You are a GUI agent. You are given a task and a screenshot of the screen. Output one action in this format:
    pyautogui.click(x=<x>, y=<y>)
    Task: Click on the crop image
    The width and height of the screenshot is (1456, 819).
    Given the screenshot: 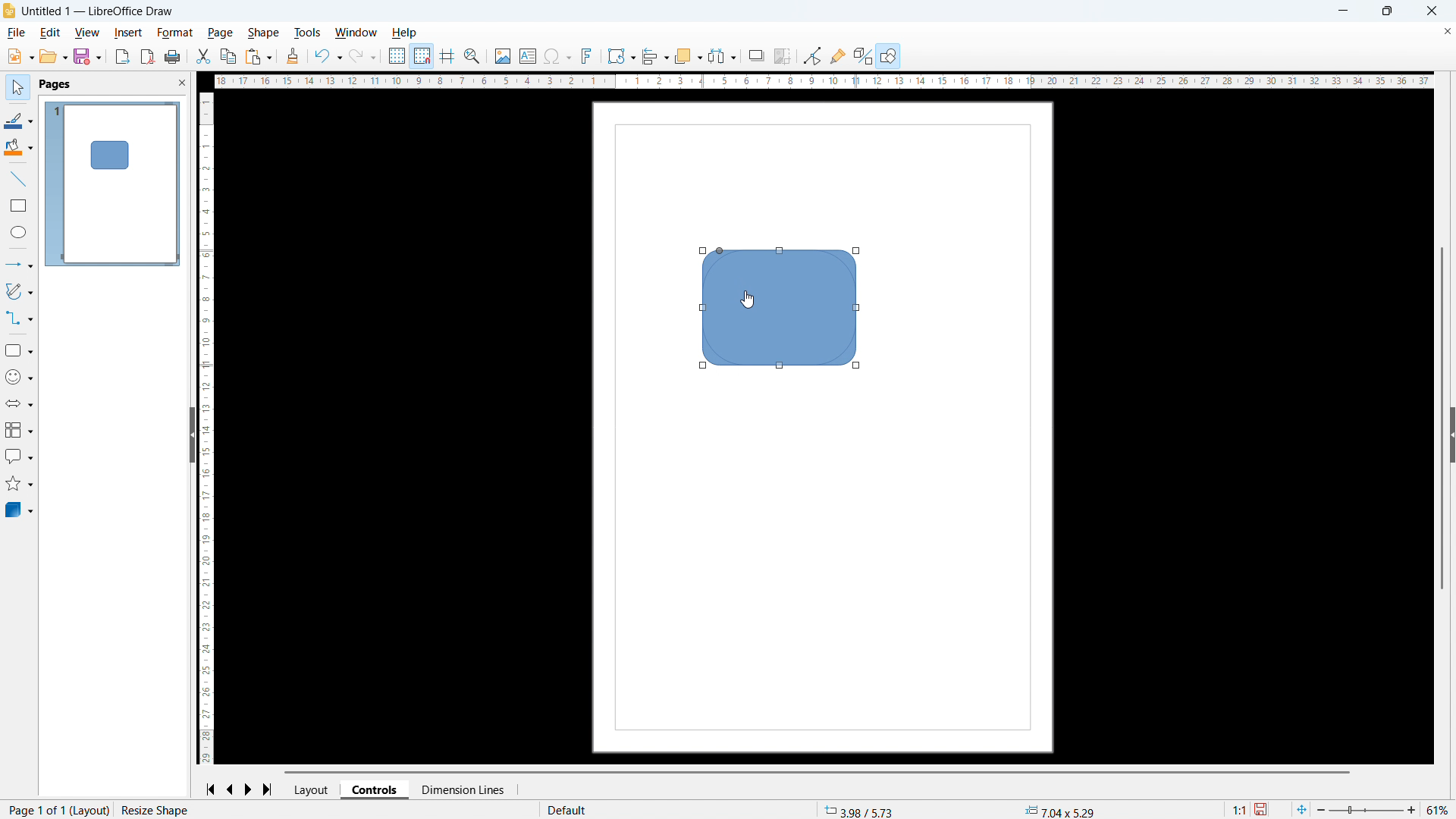 What is the action you would take?
    pyautogui.click(x=782, y=57)
    